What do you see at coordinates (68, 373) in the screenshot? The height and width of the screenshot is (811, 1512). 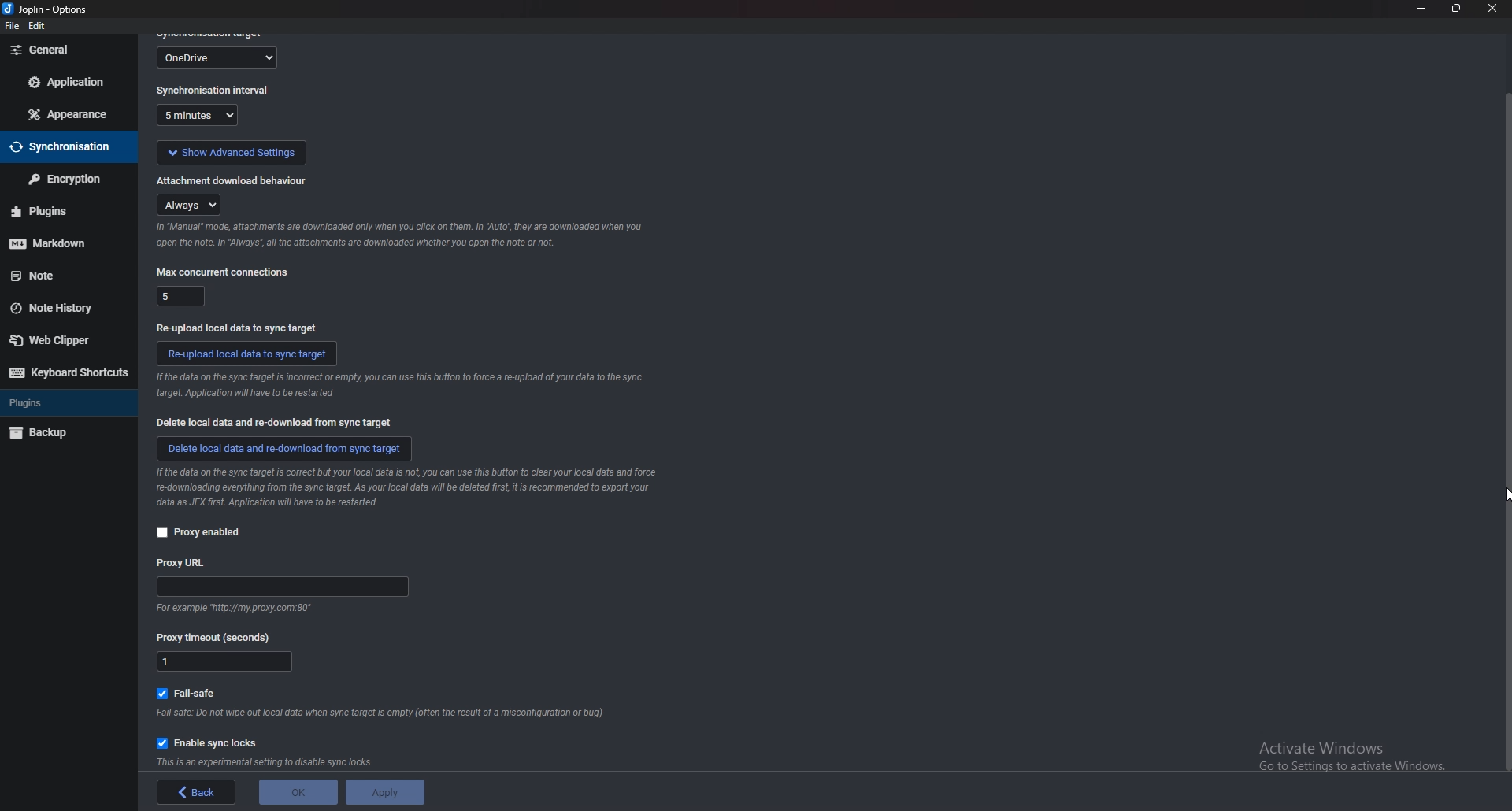 I see `keyboard shortcuts` at bounding box center [68, 373].